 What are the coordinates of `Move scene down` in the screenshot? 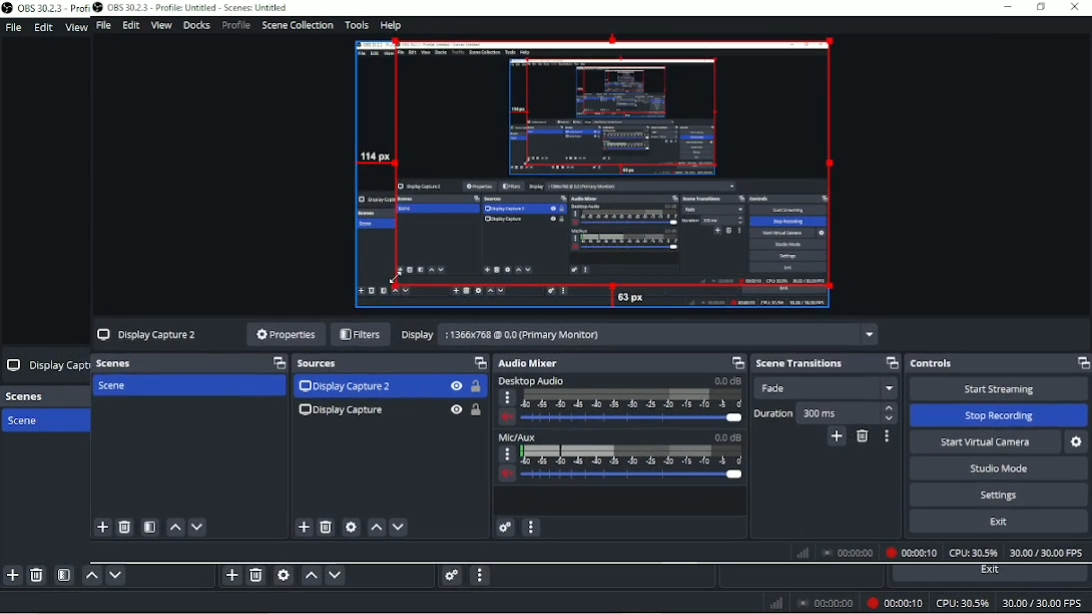 It's located at (115, 575).